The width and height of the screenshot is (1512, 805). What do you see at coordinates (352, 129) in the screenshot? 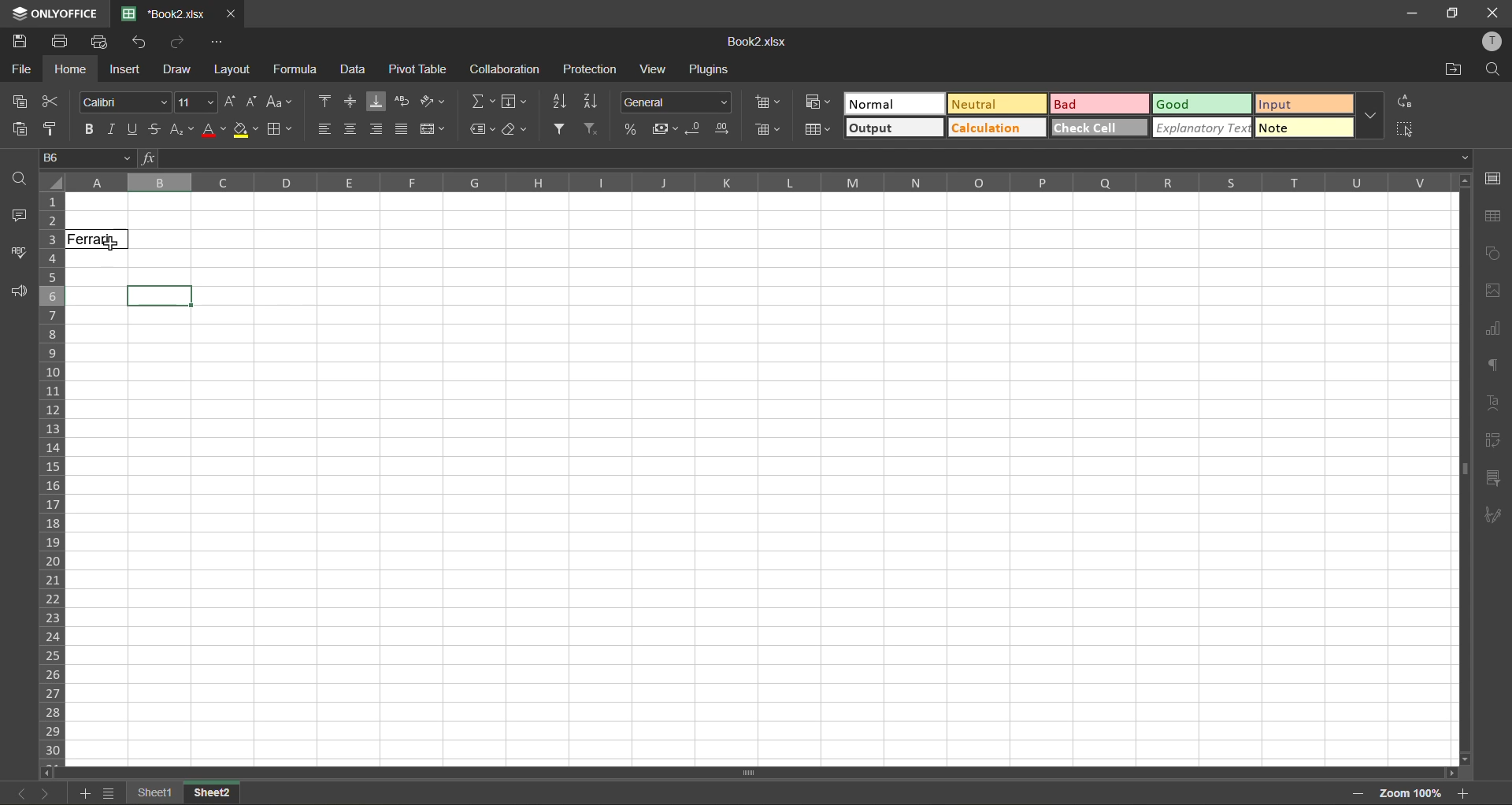
I see `align center` at bounding box center [352, 129].